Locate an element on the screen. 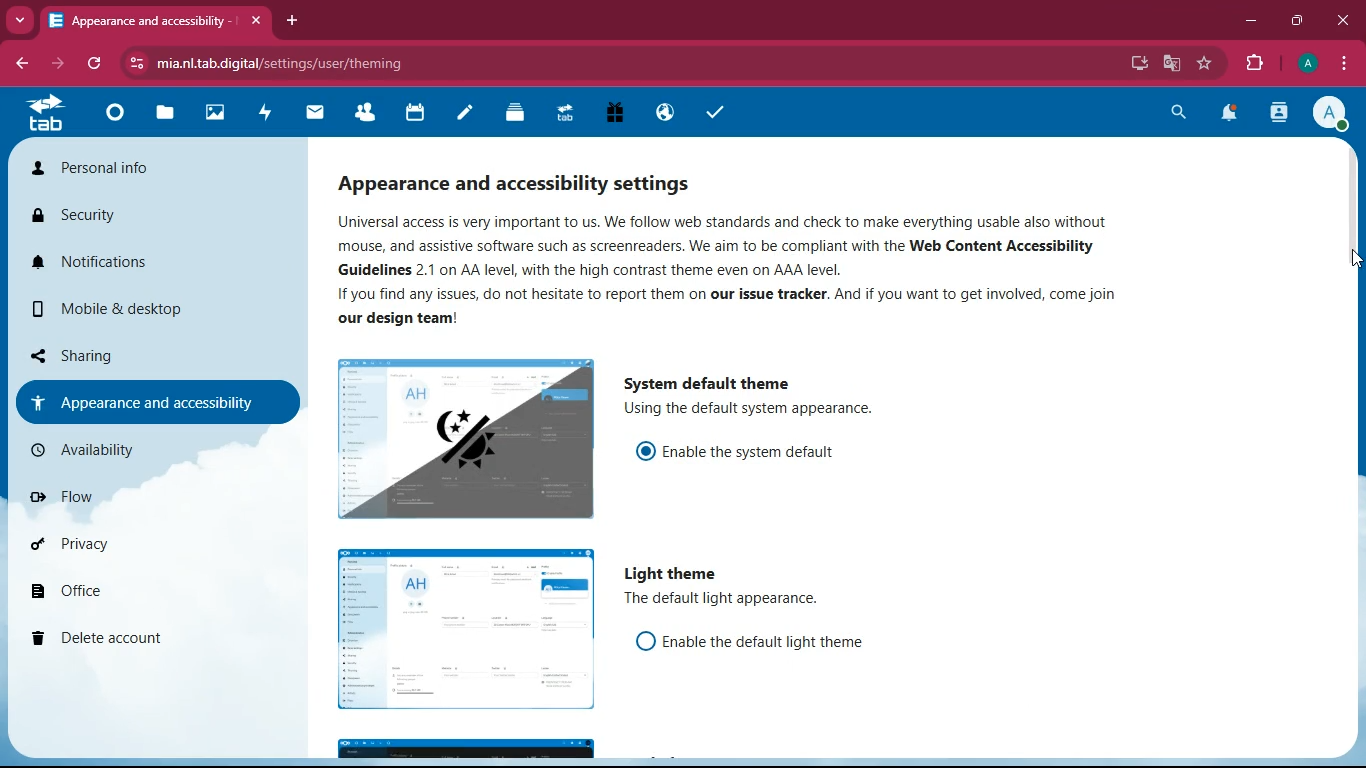  delete is located at coordinates (145, 639).